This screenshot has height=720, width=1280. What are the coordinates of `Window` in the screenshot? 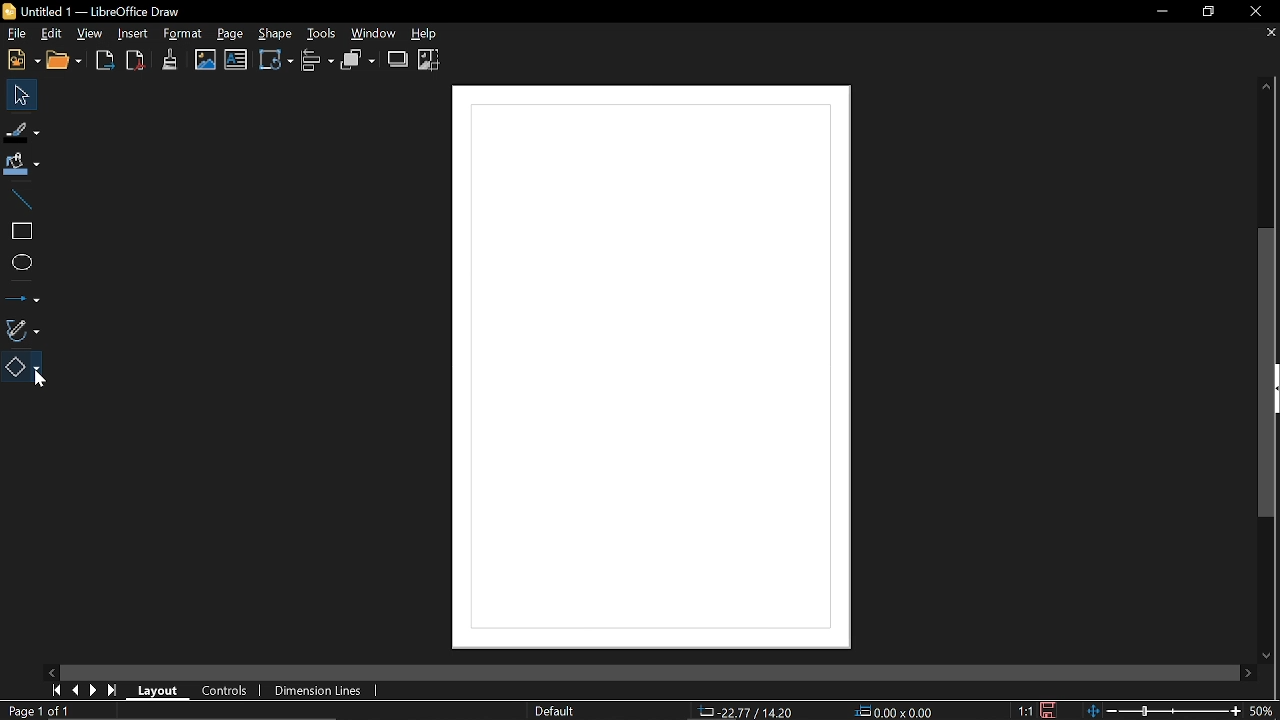 It's located at (374, 33).